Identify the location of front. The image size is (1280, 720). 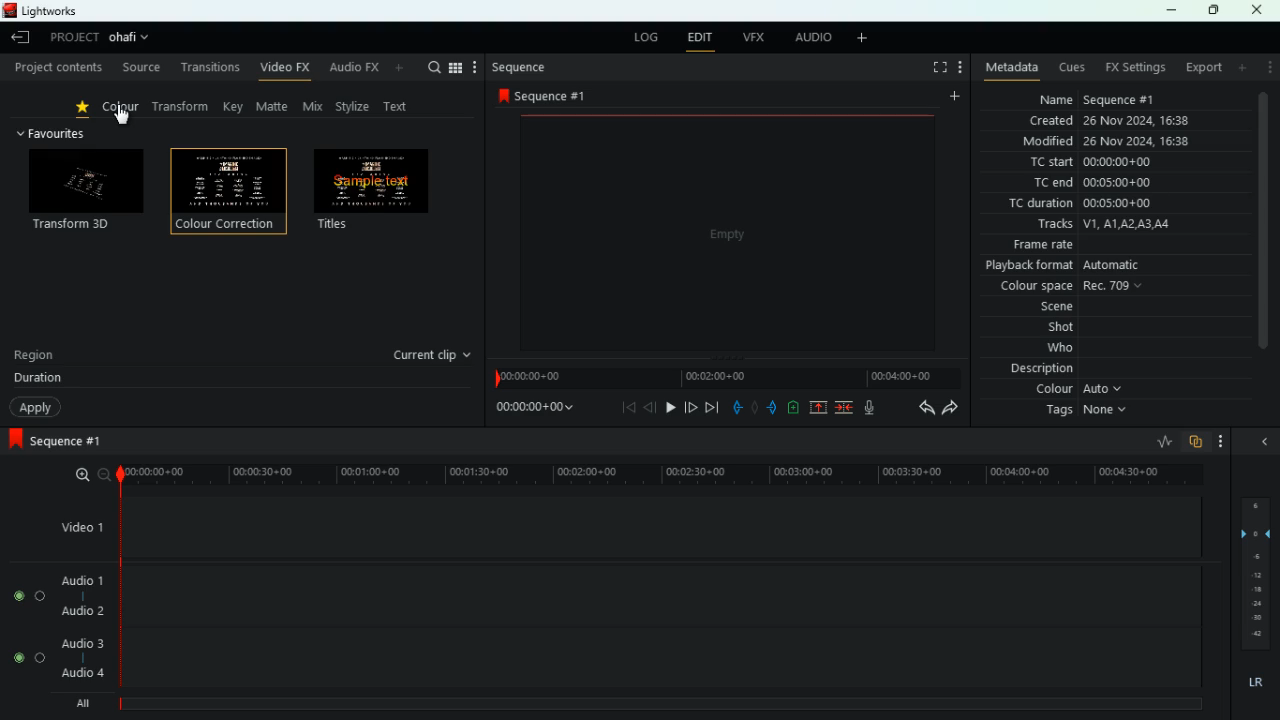
(771, 407).